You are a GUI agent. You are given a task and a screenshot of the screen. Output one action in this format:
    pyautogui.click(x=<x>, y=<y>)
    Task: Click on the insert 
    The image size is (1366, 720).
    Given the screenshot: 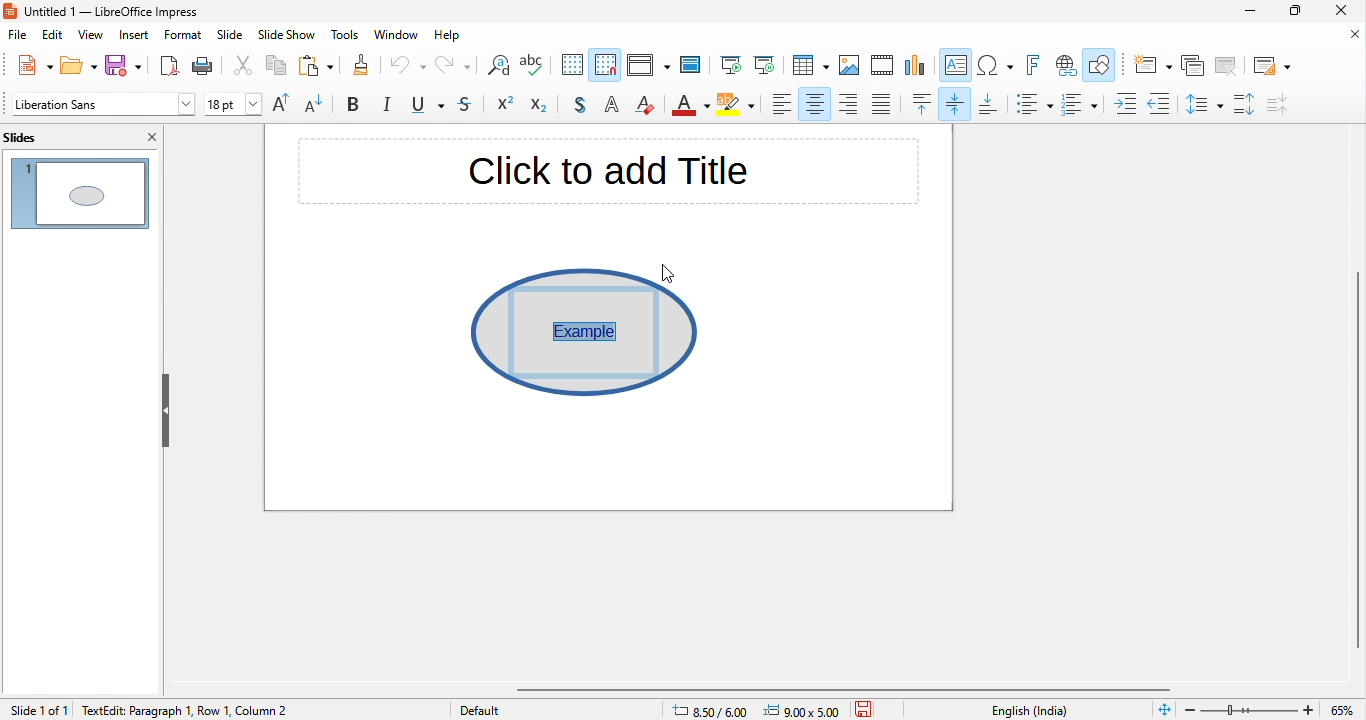 What is the action you would take?
    pyautogui.click(x=135, y=35)
    